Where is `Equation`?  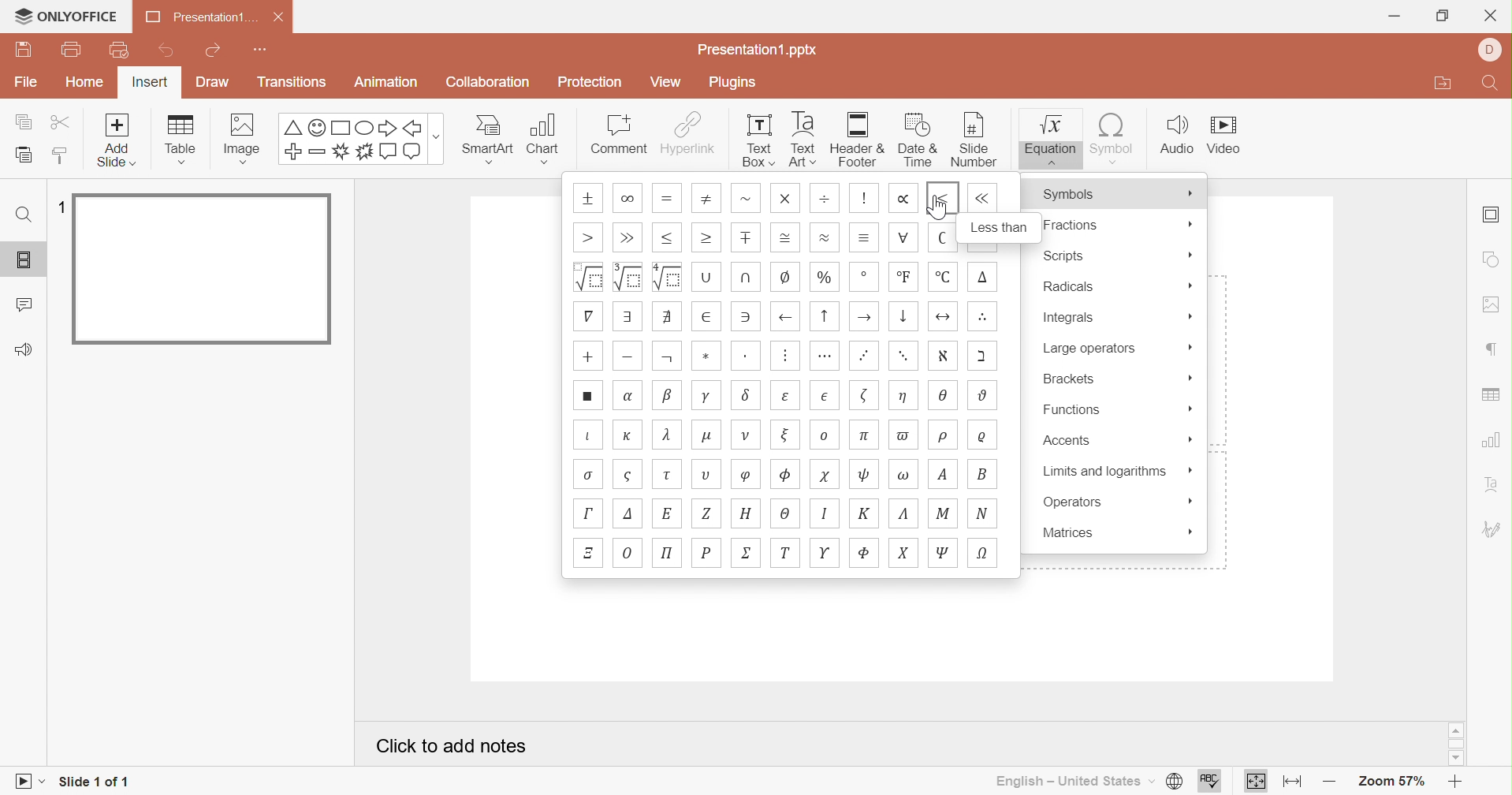 Equation is located at coordinates (1052, 141).